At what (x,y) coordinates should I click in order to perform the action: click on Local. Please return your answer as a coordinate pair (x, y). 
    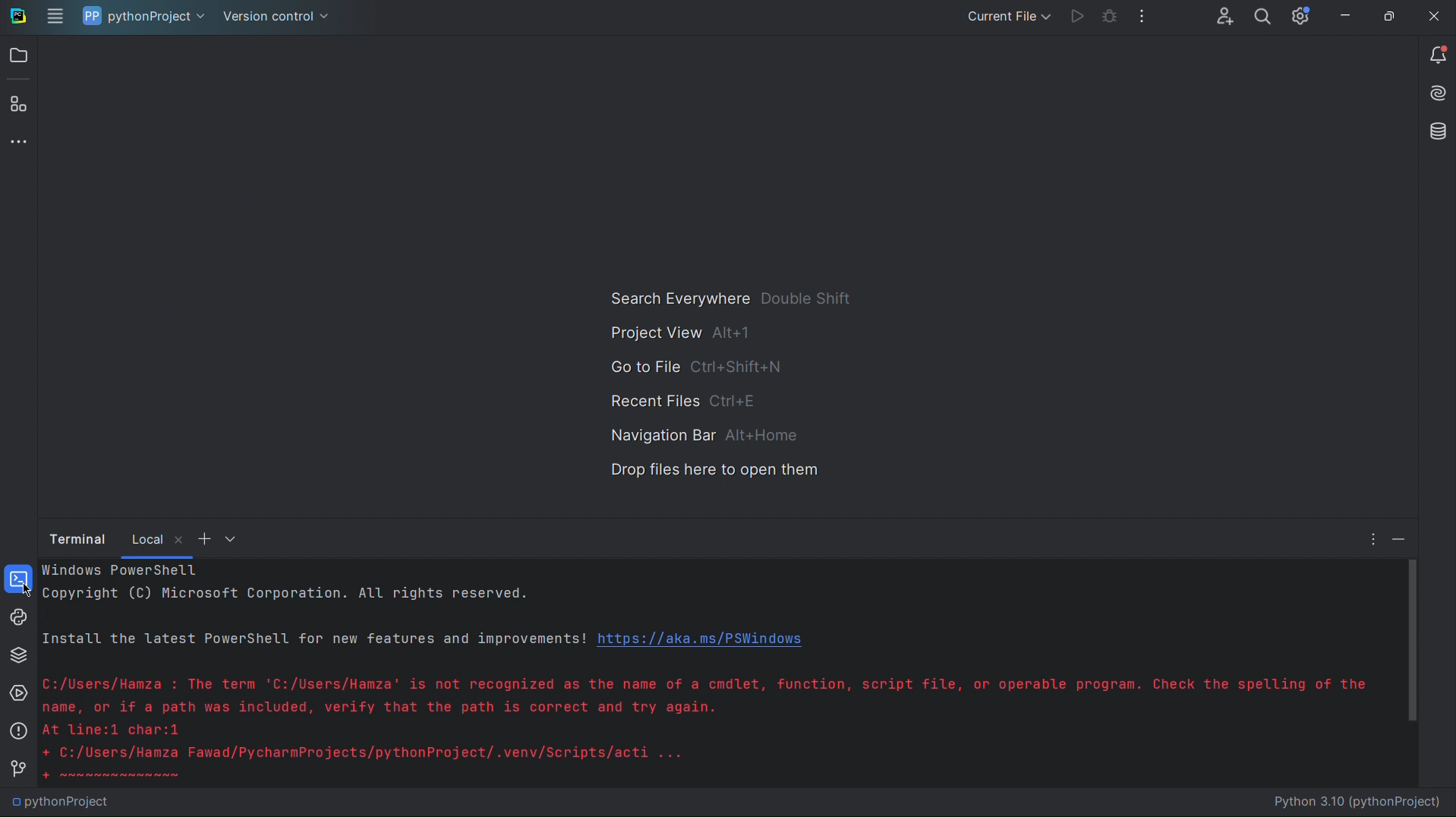
    Looking at the image, I should click on (156, 538).